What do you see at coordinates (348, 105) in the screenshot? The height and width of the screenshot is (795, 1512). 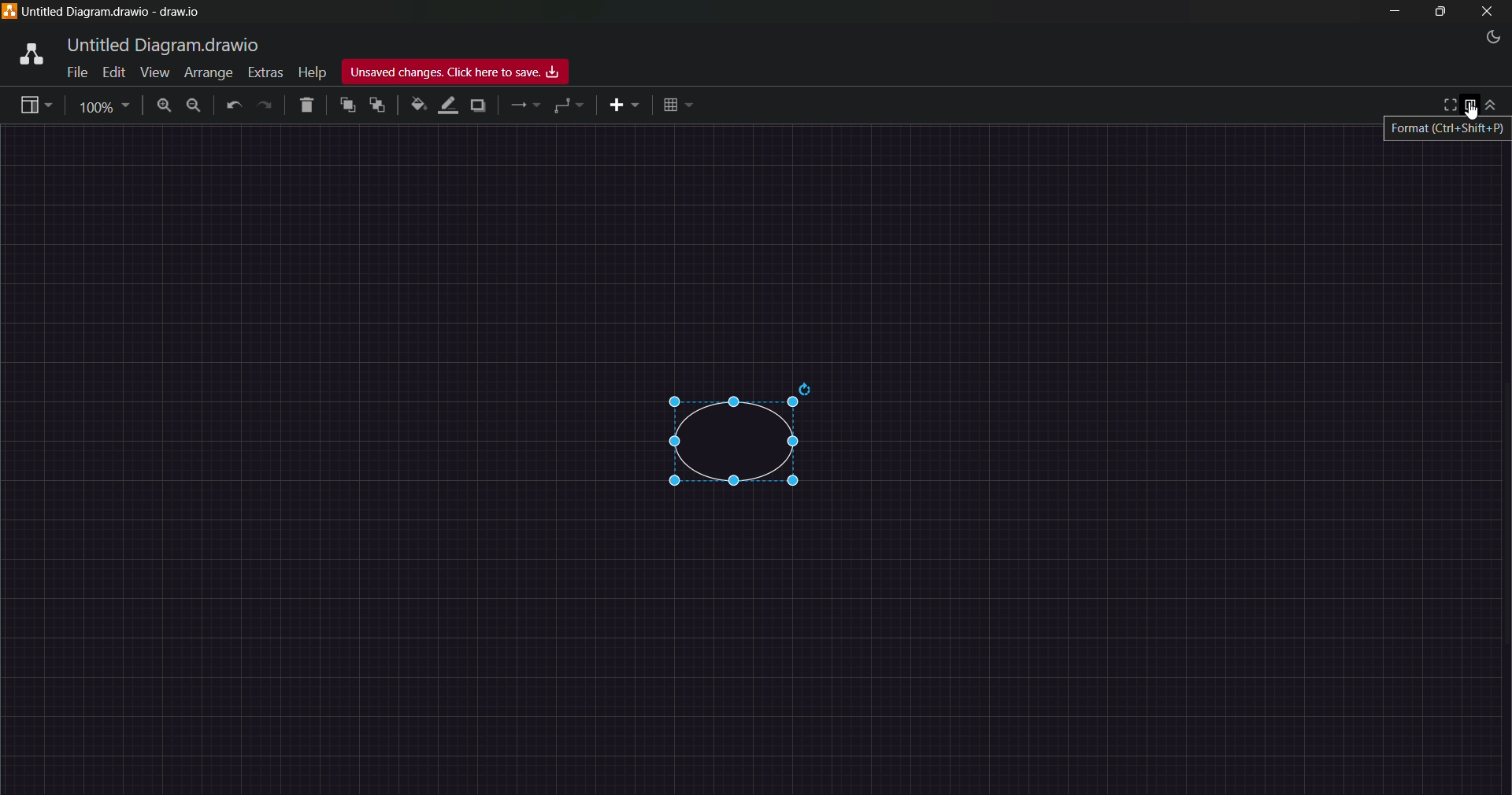 I see `to front` at bounding box center [348, 105].